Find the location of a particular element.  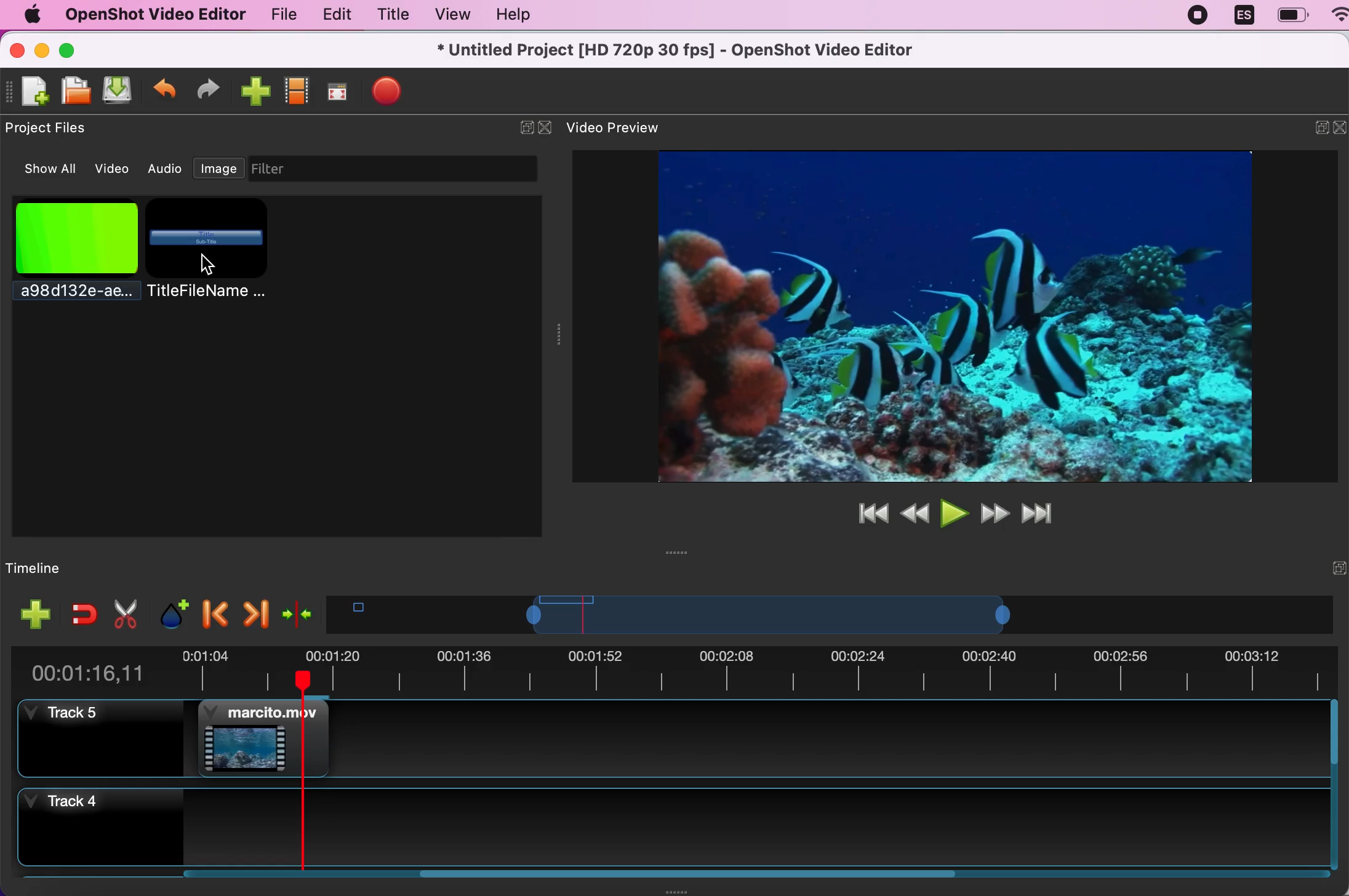

new file is located at coordinates (30, 92).